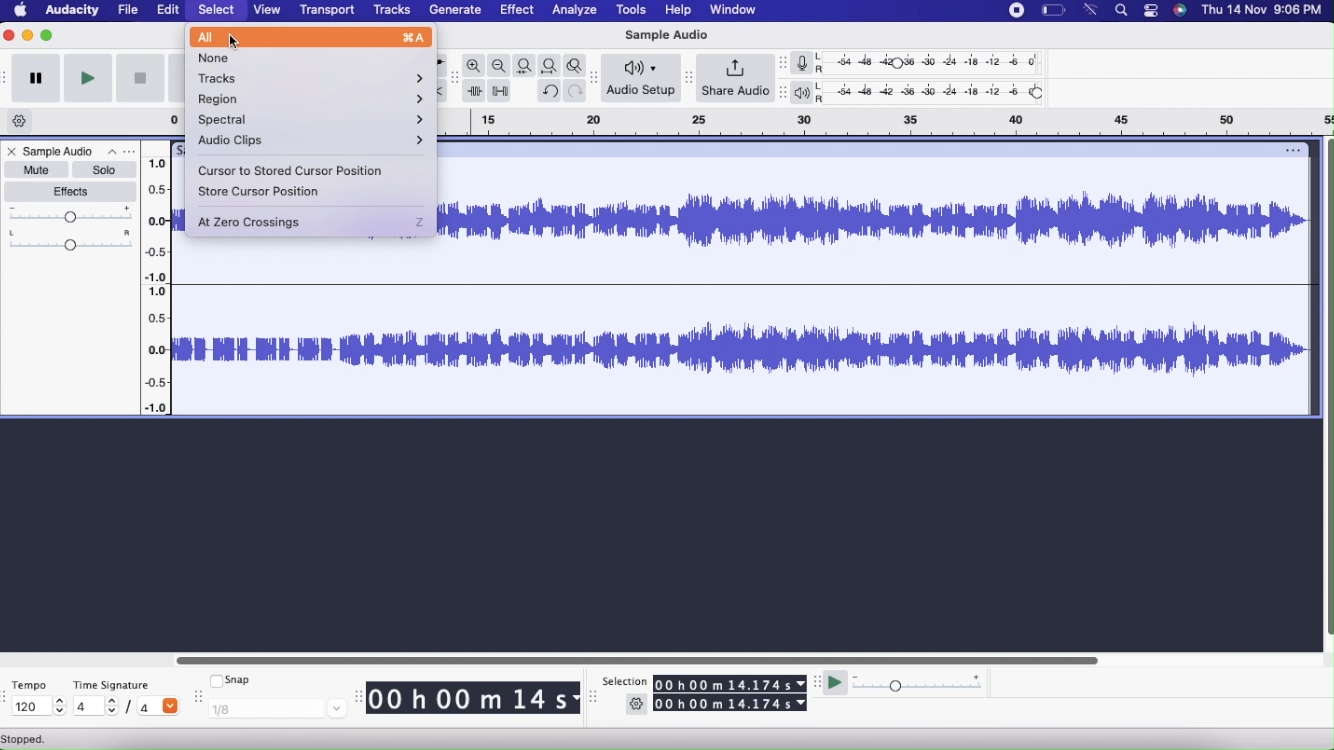 The width and height of the screenshot is (1334, 750). I want to click on Minimize, so click(27, 35).